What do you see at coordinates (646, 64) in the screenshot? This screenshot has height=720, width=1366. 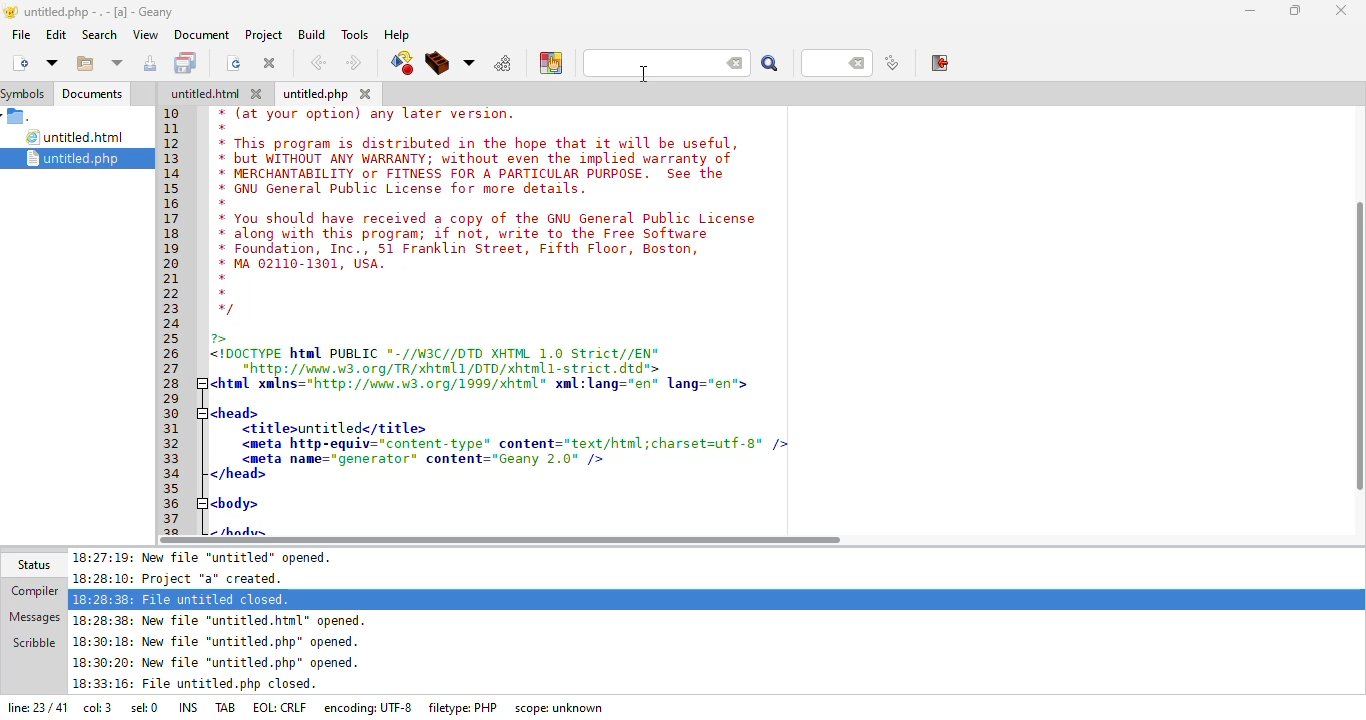 I see `search for text in file` at bounding box center [646, 64].